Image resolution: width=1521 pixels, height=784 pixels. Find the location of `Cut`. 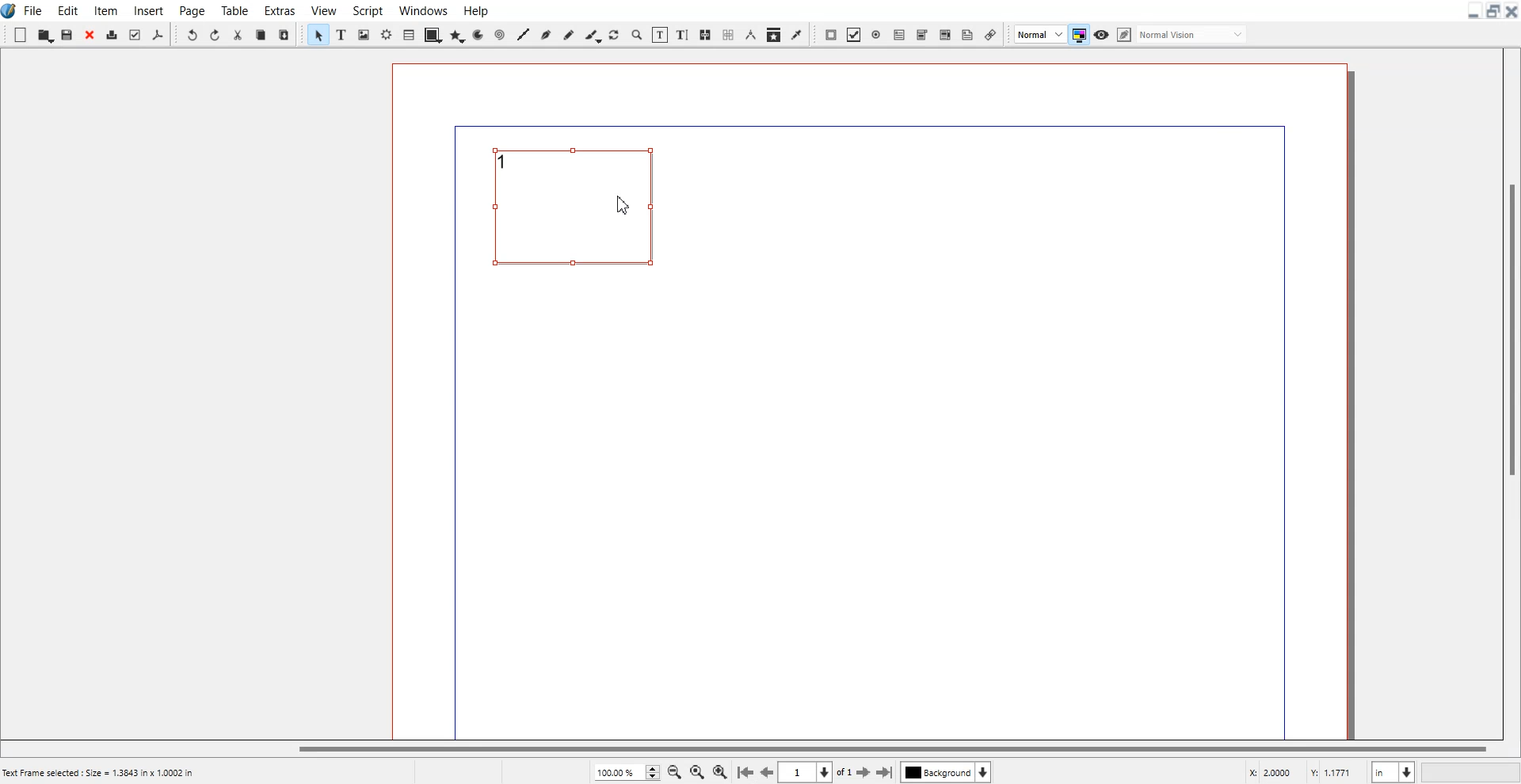

Cut is located at coordinates (238, 33).